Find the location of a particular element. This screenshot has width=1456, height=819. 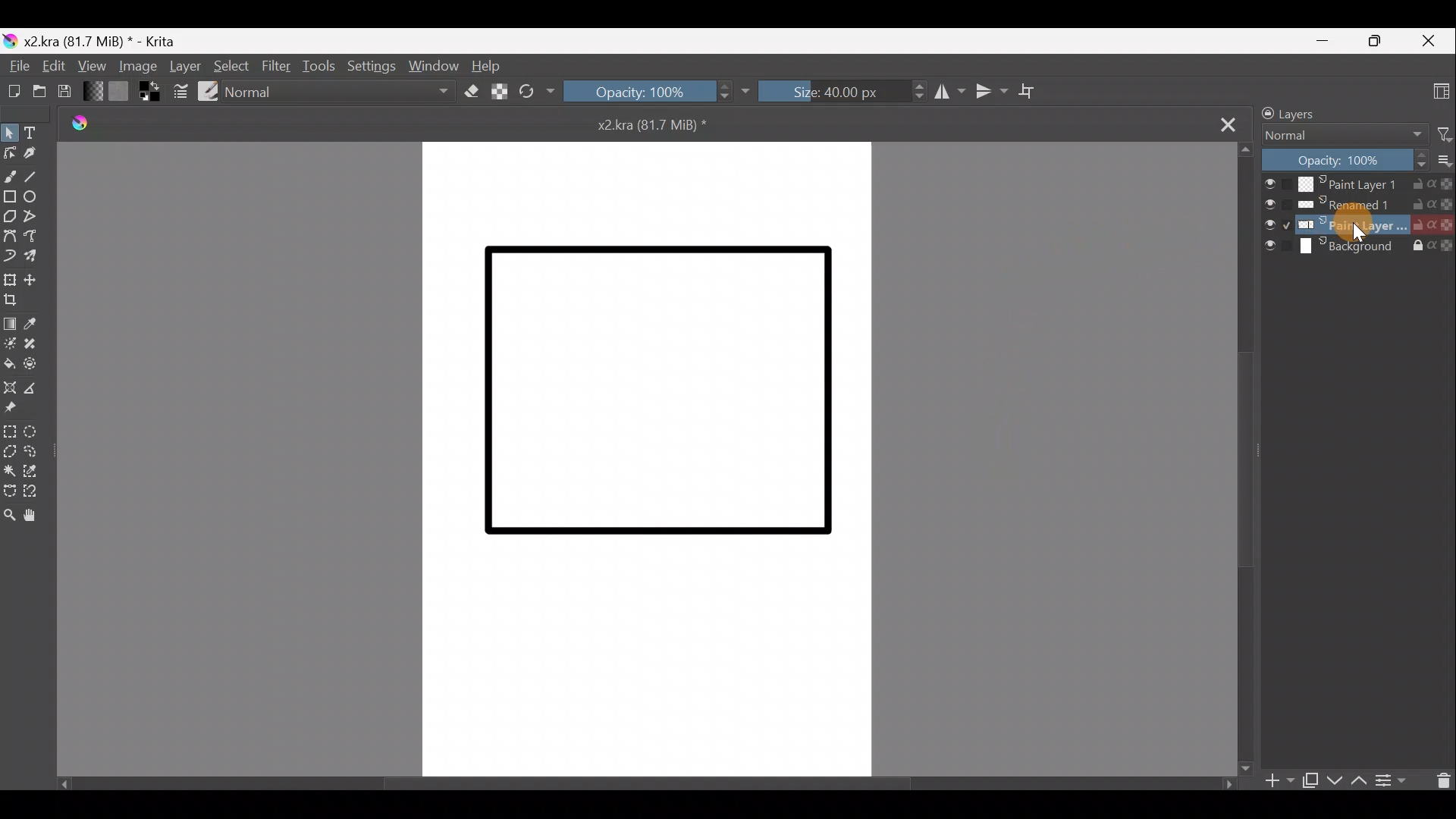

Reference images tool is located at coordinates (19, 410).